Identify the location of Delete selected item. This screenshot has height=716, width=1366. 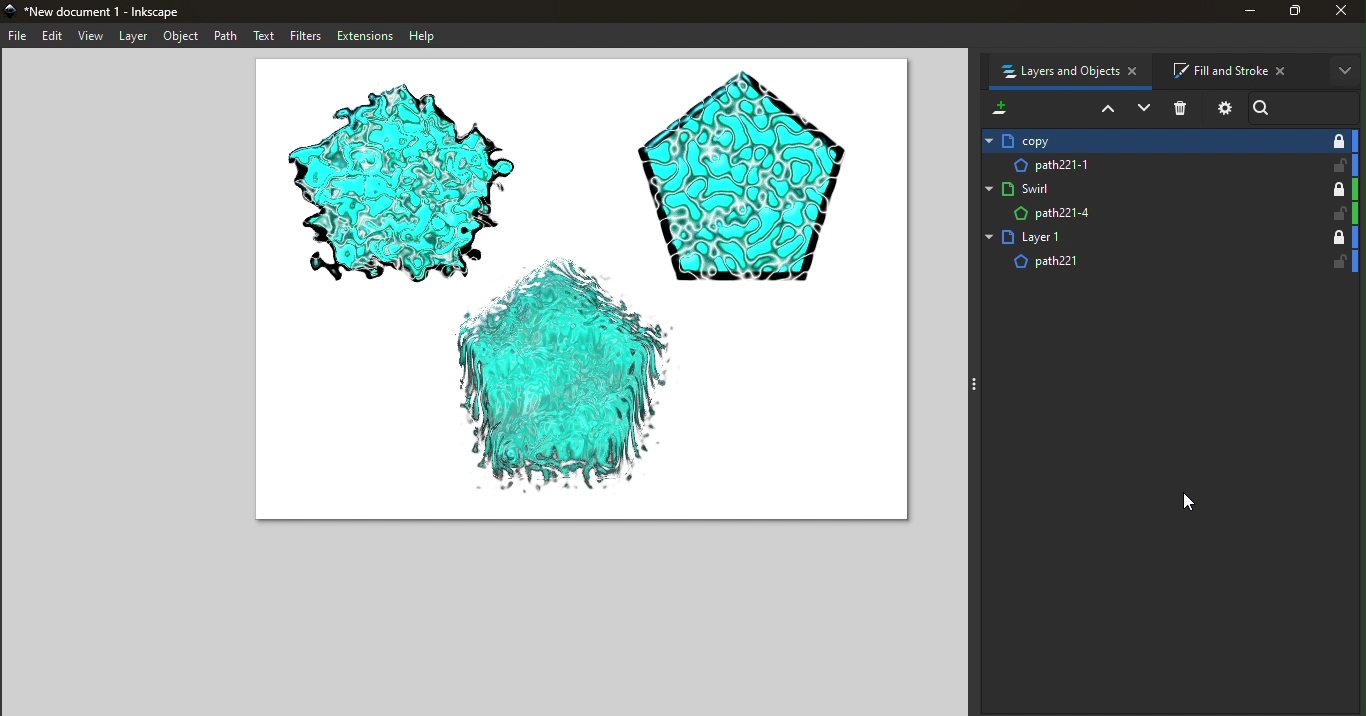
(1183, 108).